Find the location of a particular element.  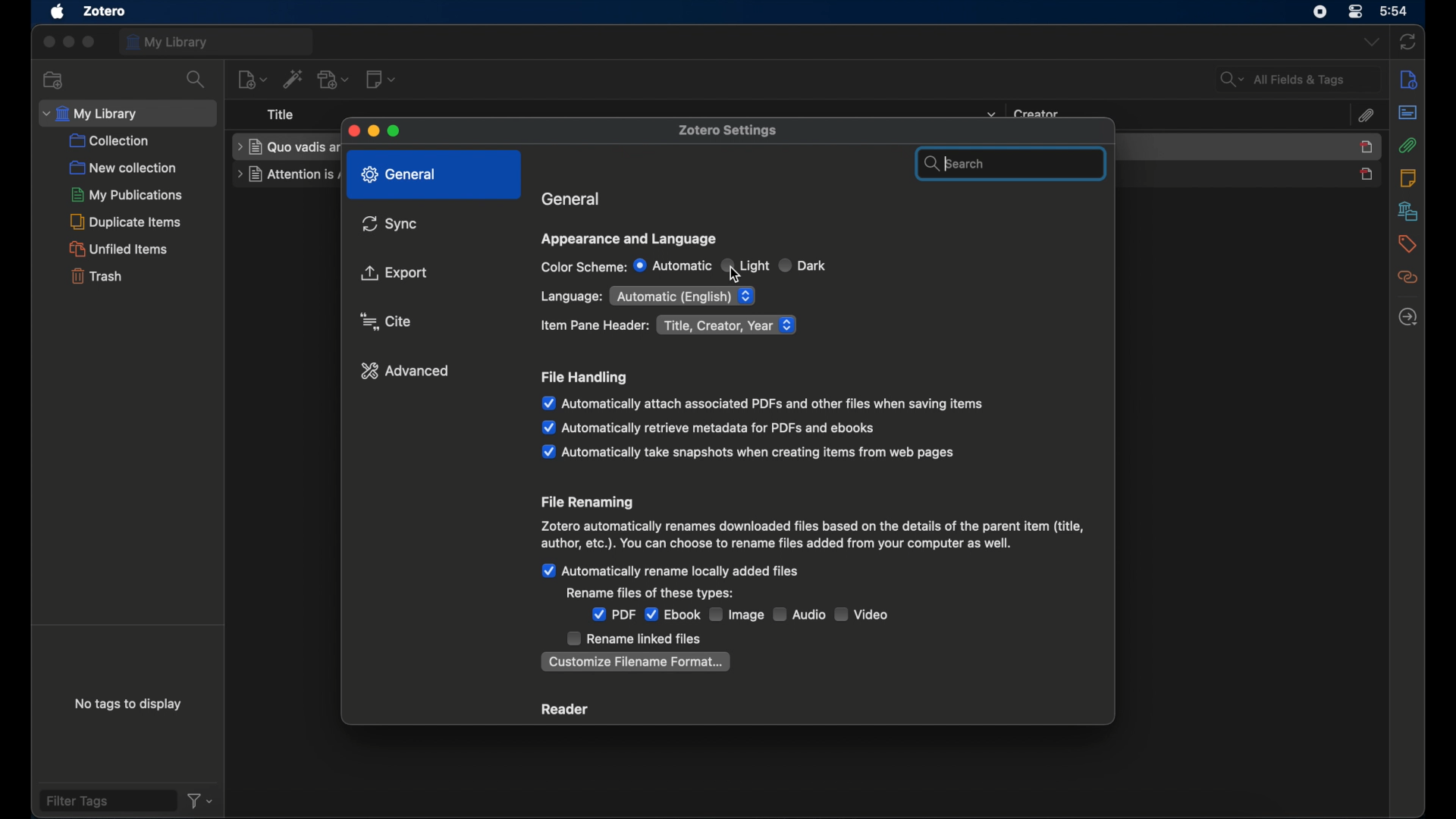

file renaming info is located at coordinates (809, 535).